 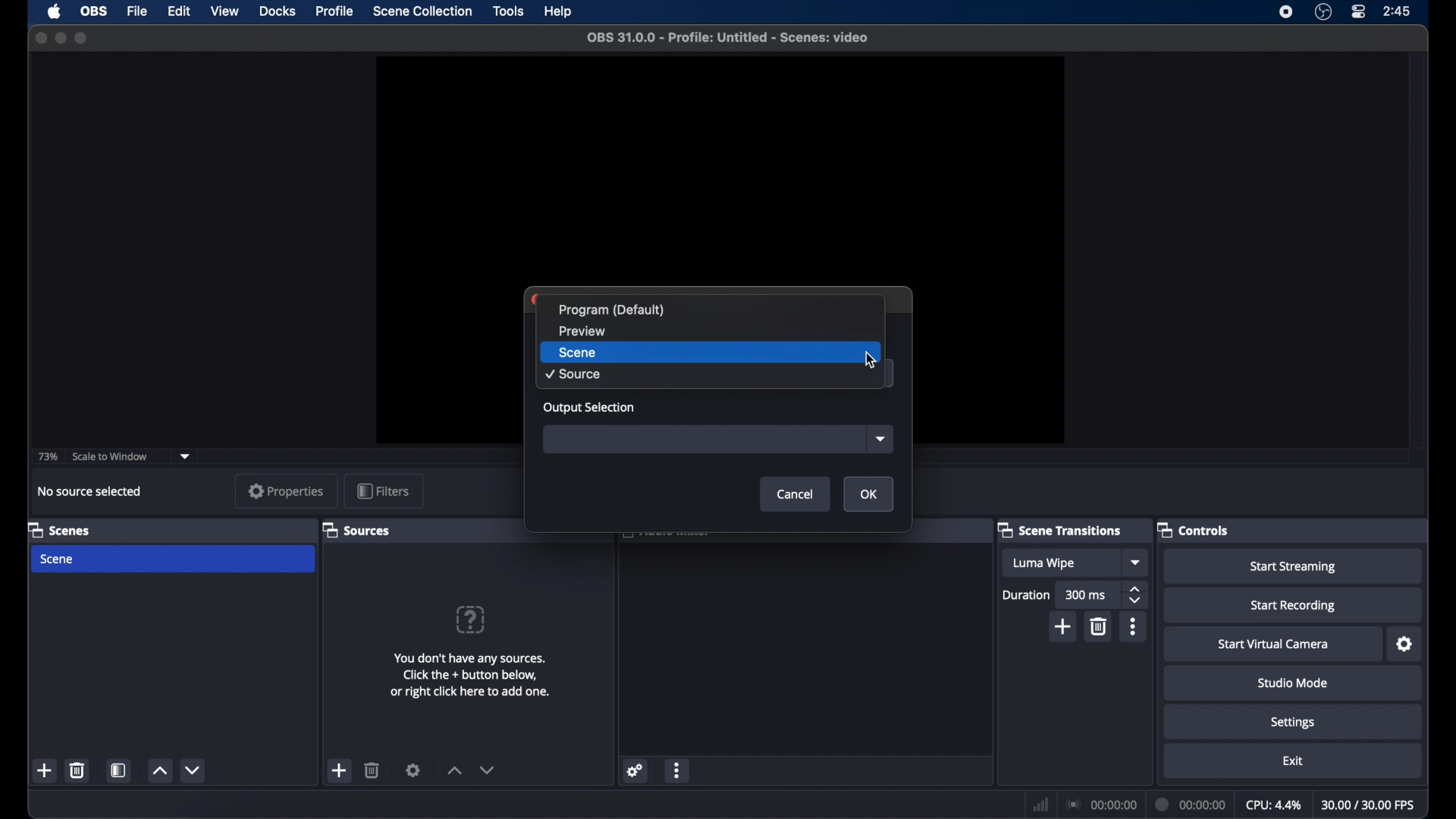 I want to click on properties, so click(x=286, y=491).